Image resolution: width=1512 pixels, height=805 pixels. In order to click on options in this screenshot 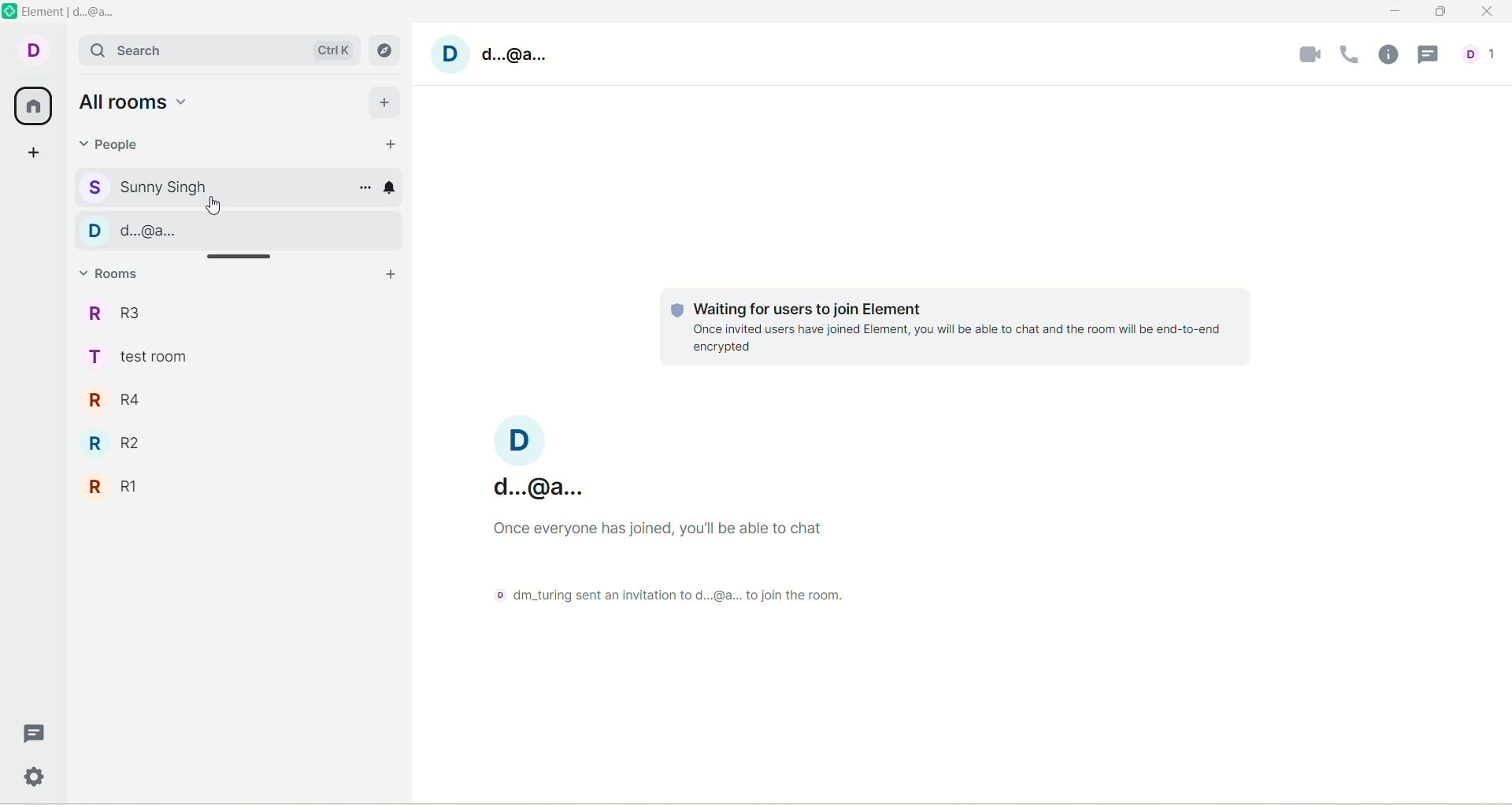, I will do `click(365, 187)`.